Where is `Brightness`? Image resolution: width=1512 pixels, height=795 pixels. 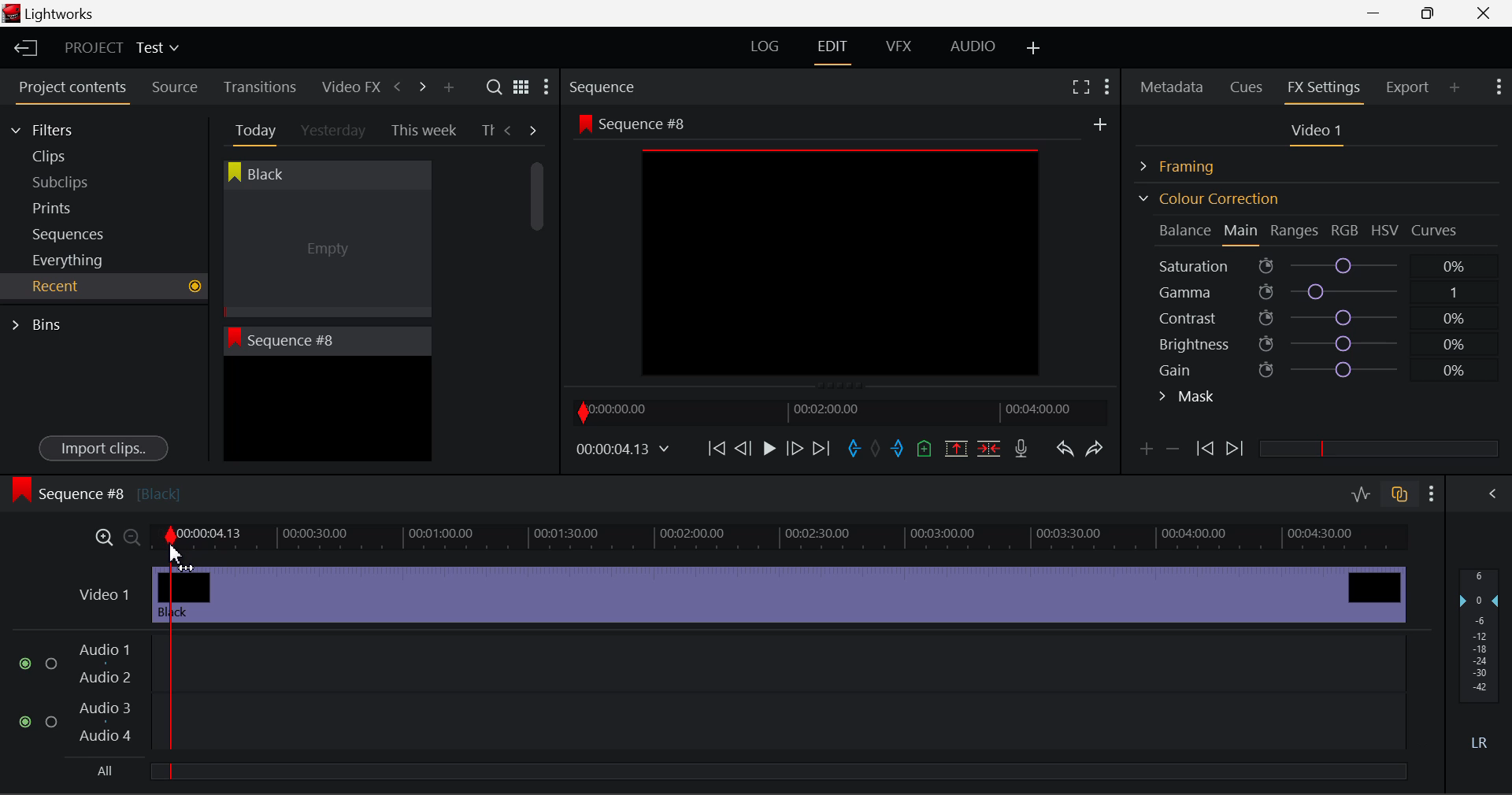 Brightness is located at coordinates (1318, 341).